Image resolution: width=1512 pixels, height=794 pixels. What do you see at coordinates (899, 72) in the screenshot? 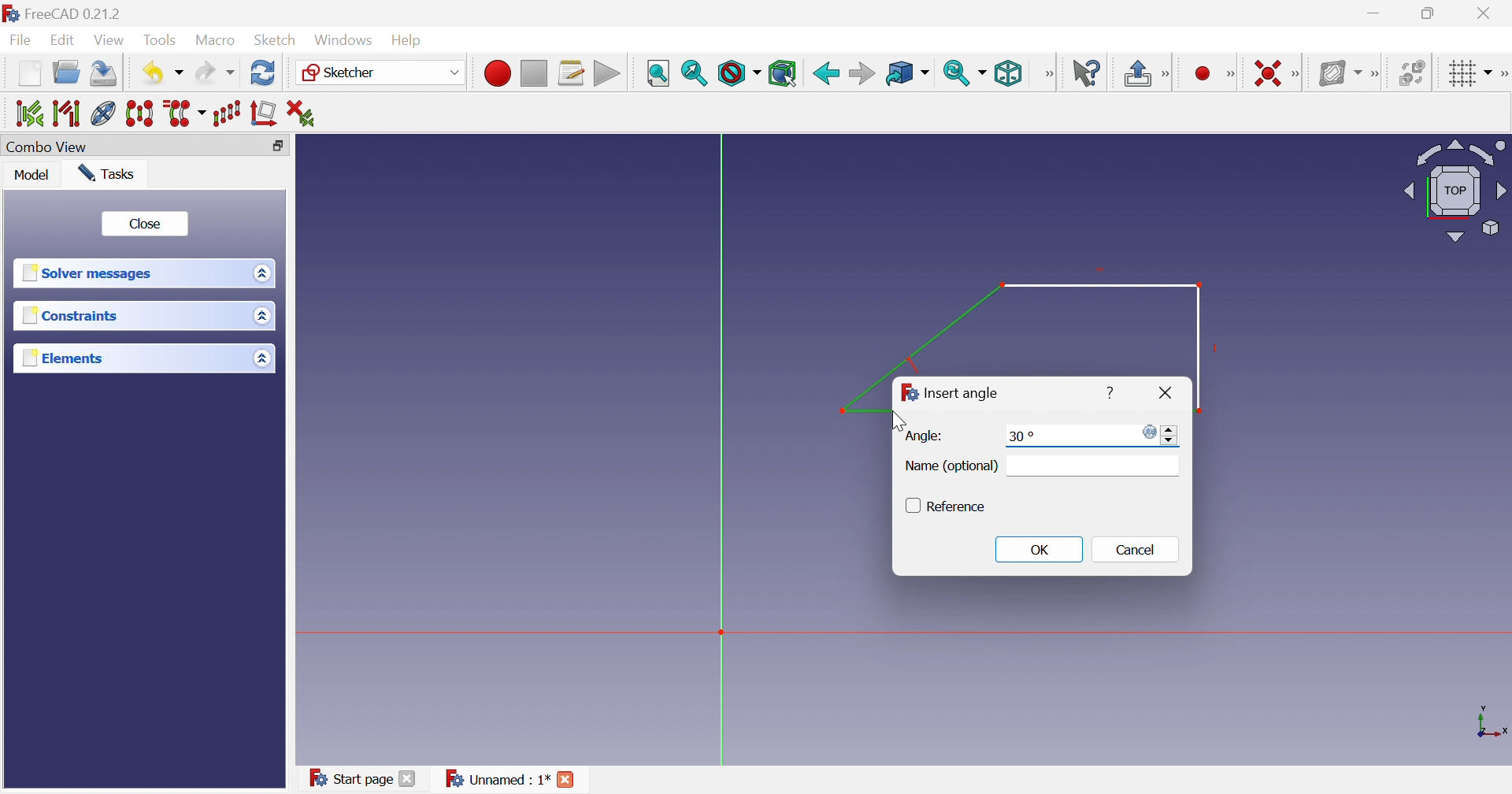
I see `Go to linked object` at bounding box center [899, 72].